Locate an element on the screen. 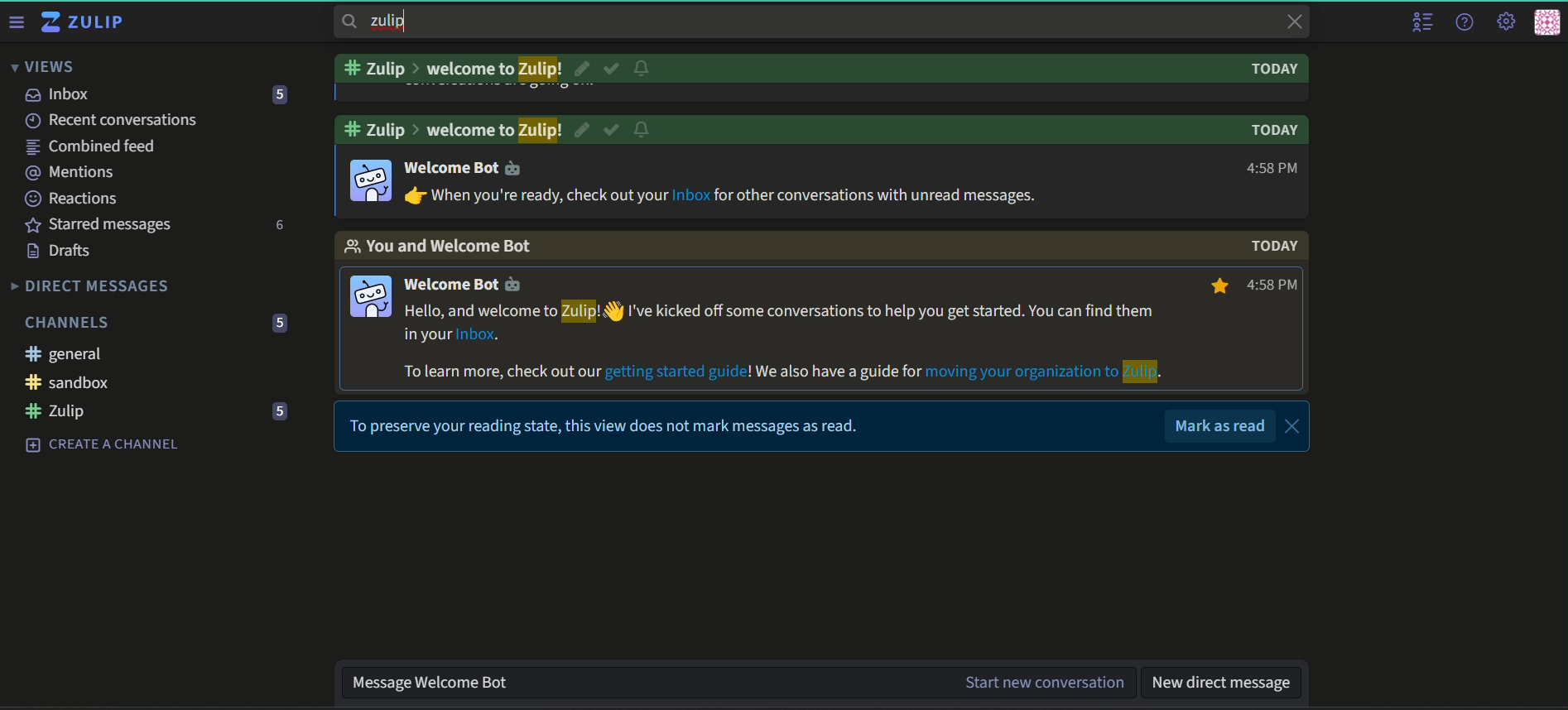 The height and width of the screenshot is (710, 1568). text is located at coordinates (450, 70).